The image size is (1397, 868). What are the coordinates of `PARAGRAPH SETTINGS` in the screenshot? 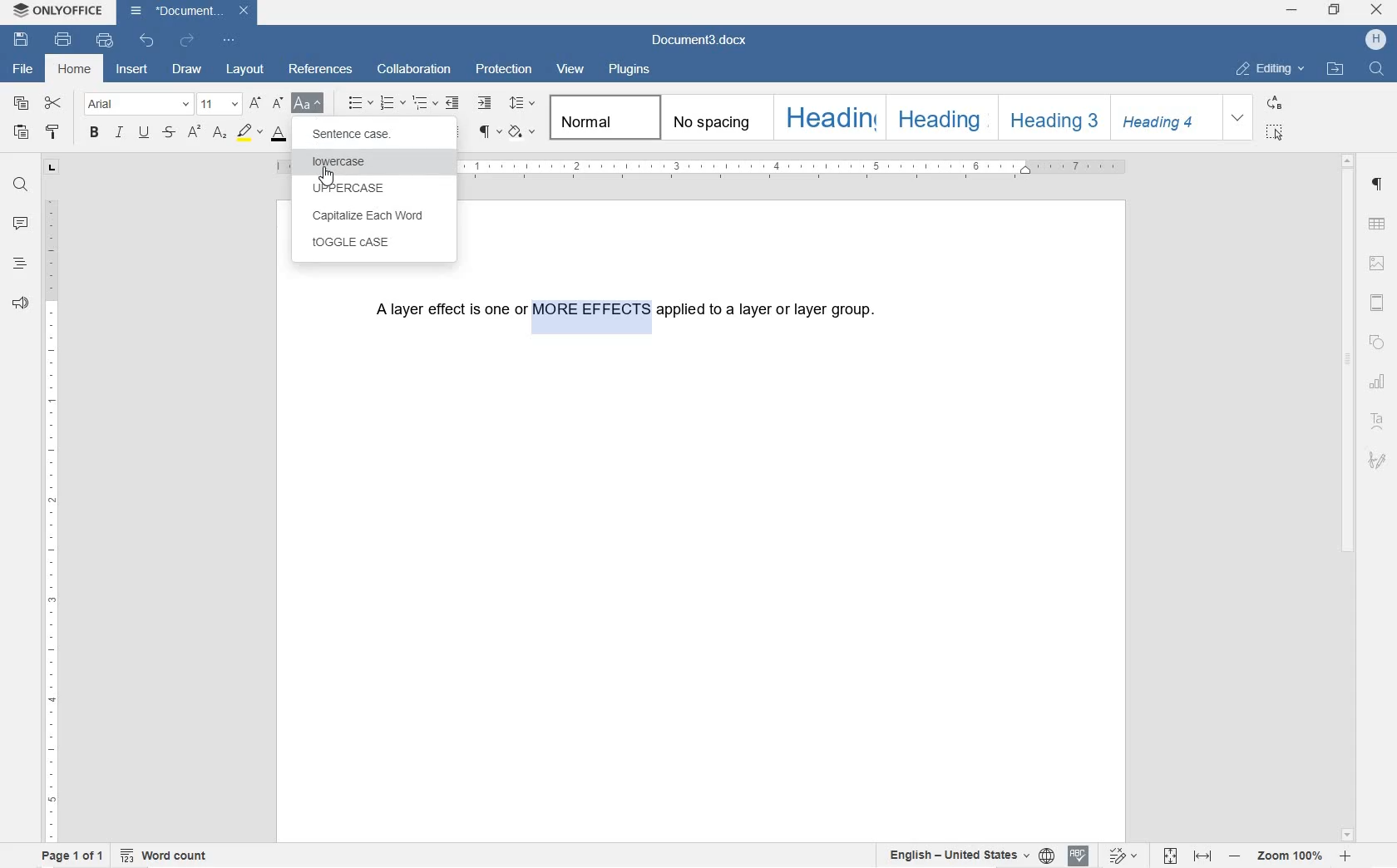 It's located at (1378, 188).